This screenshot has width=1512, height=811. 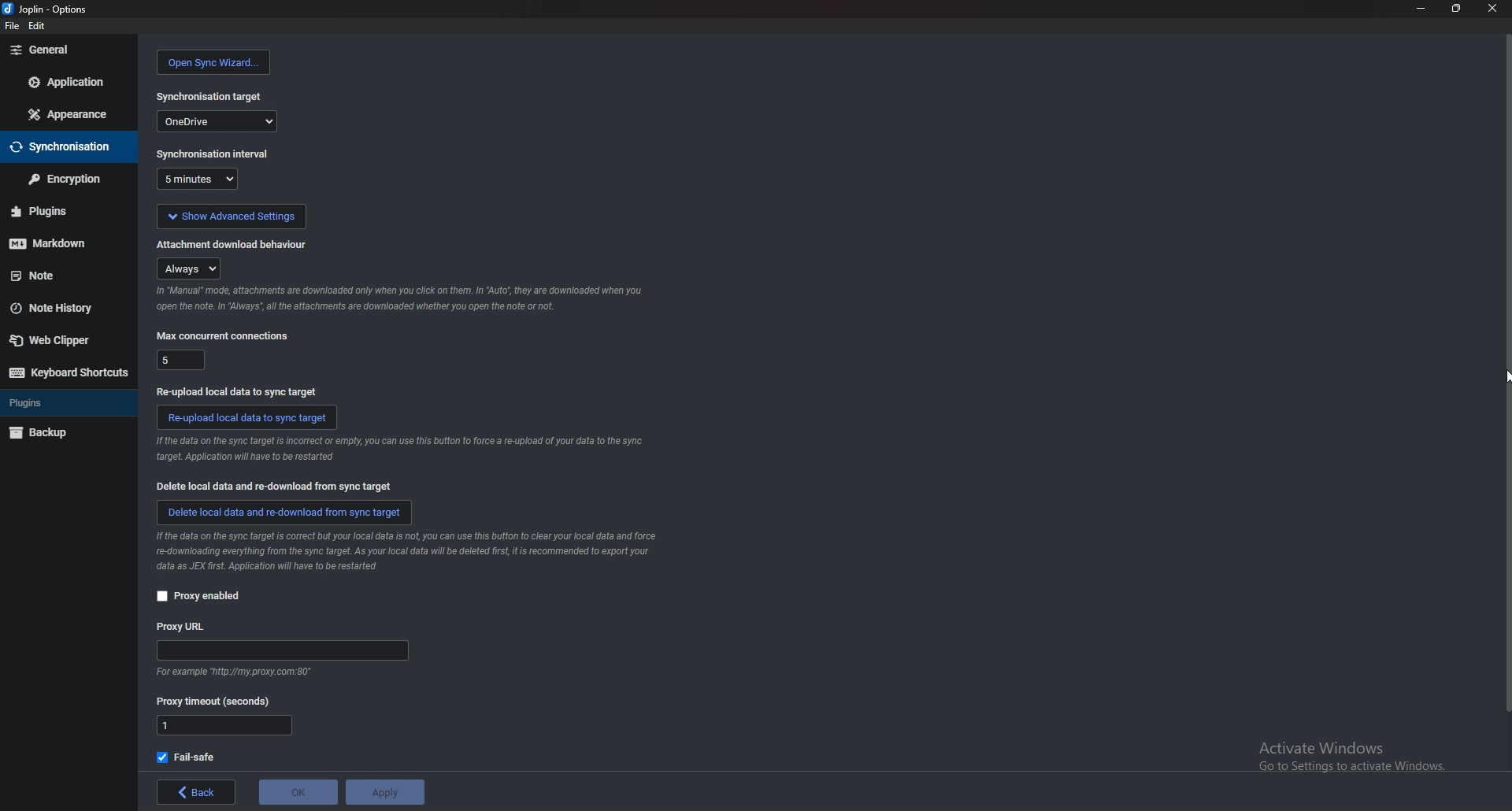 What do you see at coordinates (284, 513) in the screenshot?
I see `delete local data` at bounding box center [284, 513].